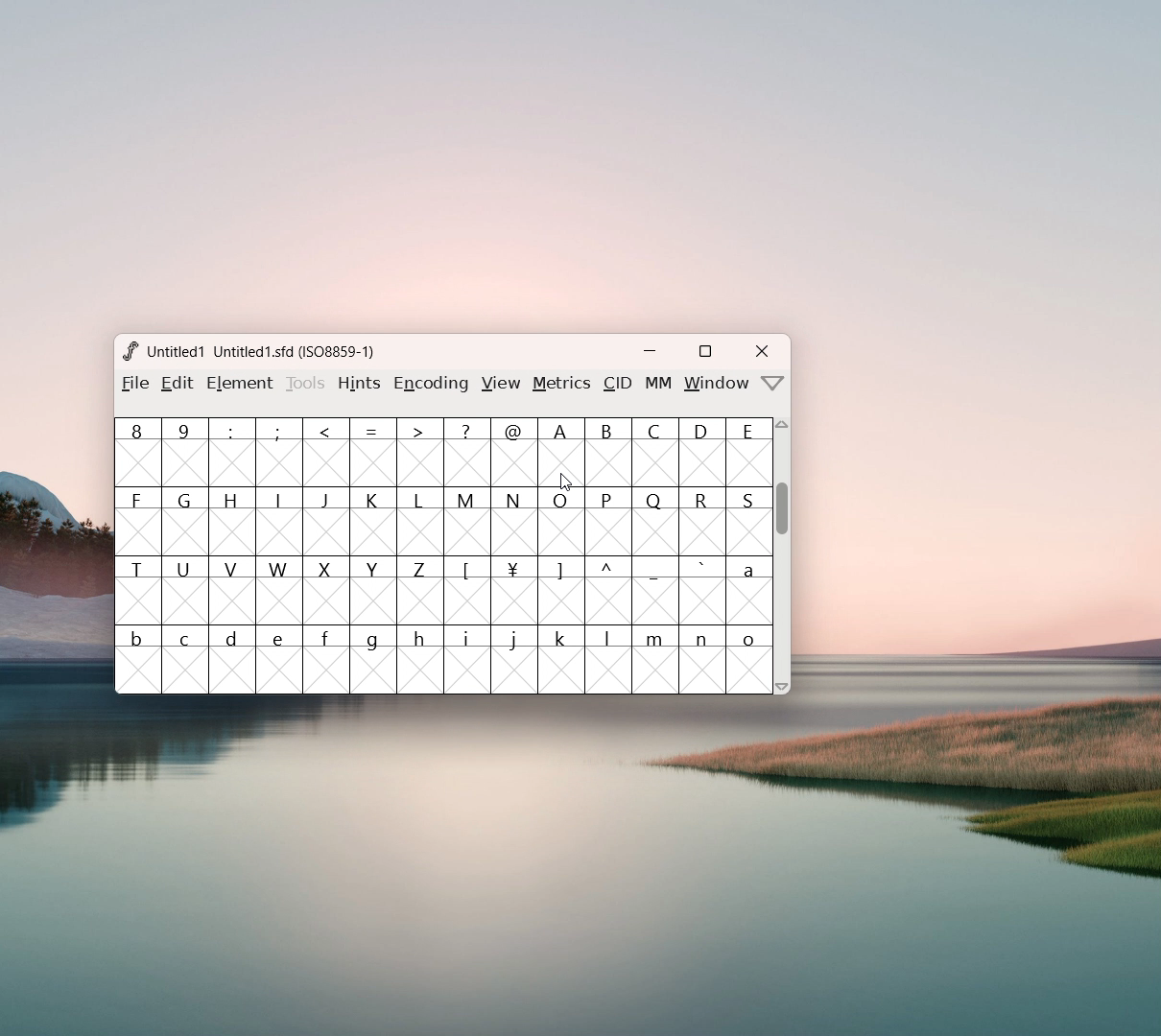 Image resolution: width=1161 pixels, height=1036 pixels. Describe the element at coordinates (241, 385) in the screenshot. I see `element` at that location.